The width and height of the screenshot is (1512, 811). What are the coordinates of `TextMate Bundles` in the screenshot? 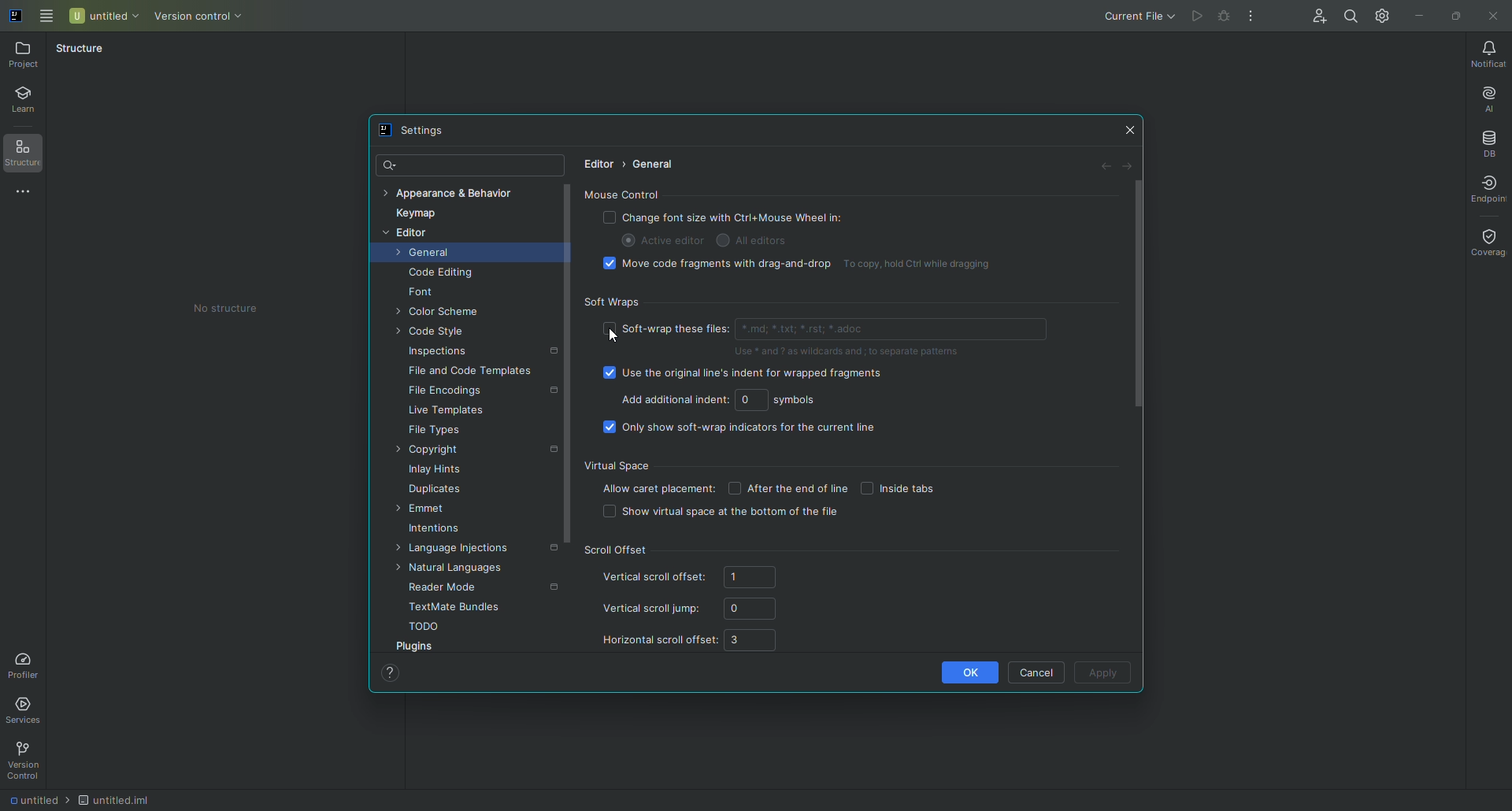 It's located at (453, 607).